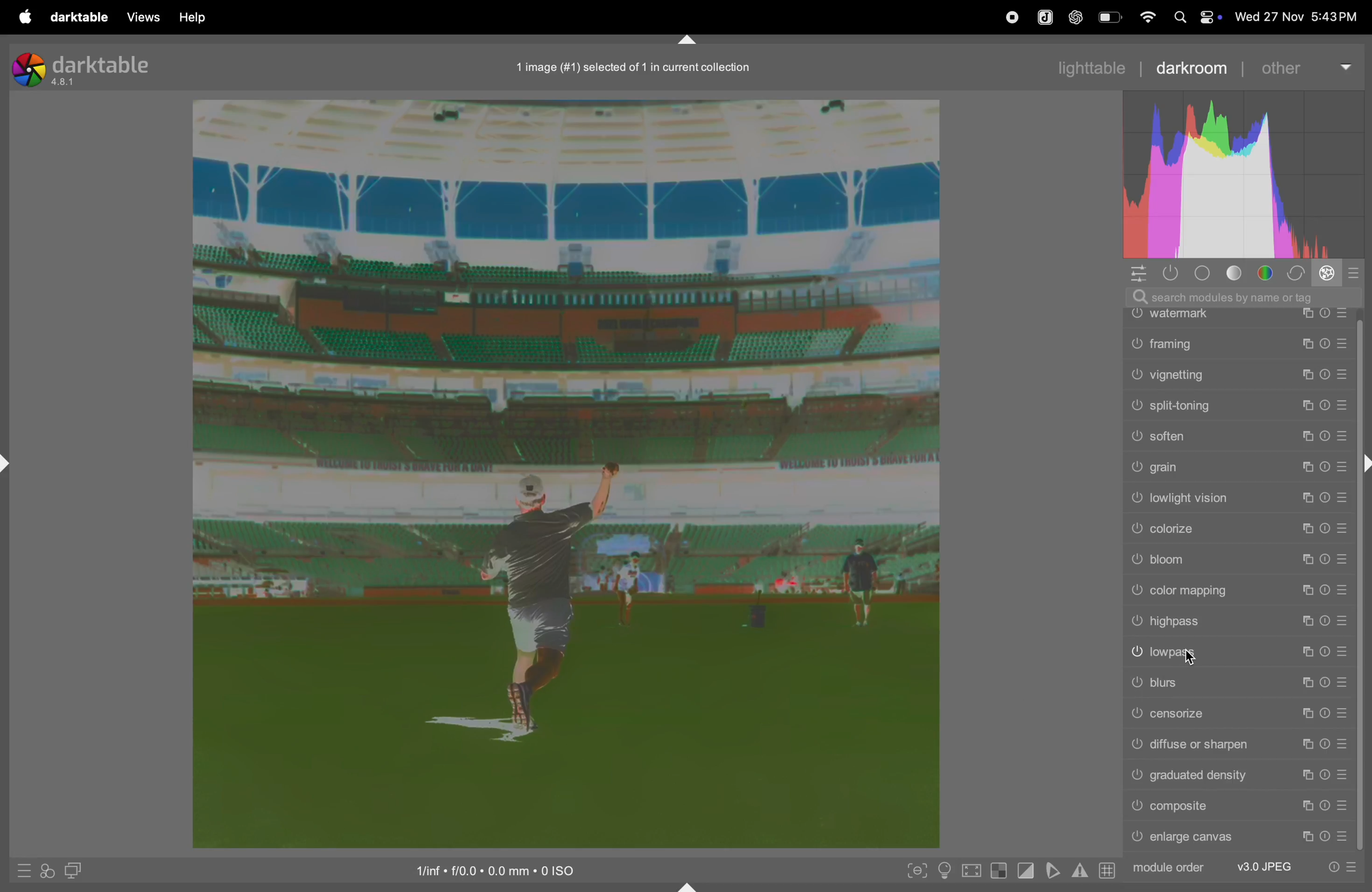  I want to click on quick acess for applying styles, so click(47, 870).